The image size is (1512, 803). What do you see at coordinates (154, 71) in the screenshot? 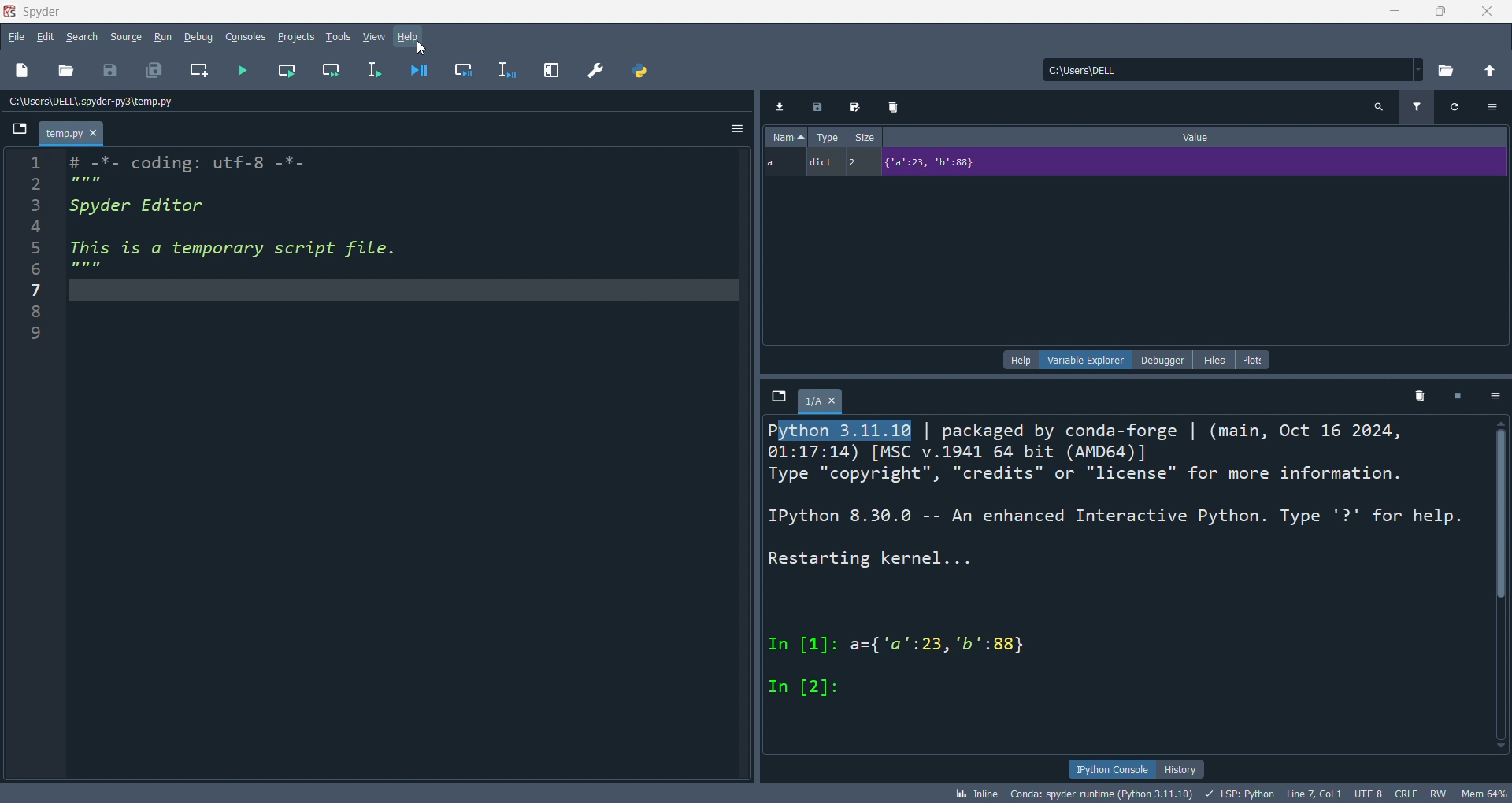
I see `save all` at bounding box center [154, 71].